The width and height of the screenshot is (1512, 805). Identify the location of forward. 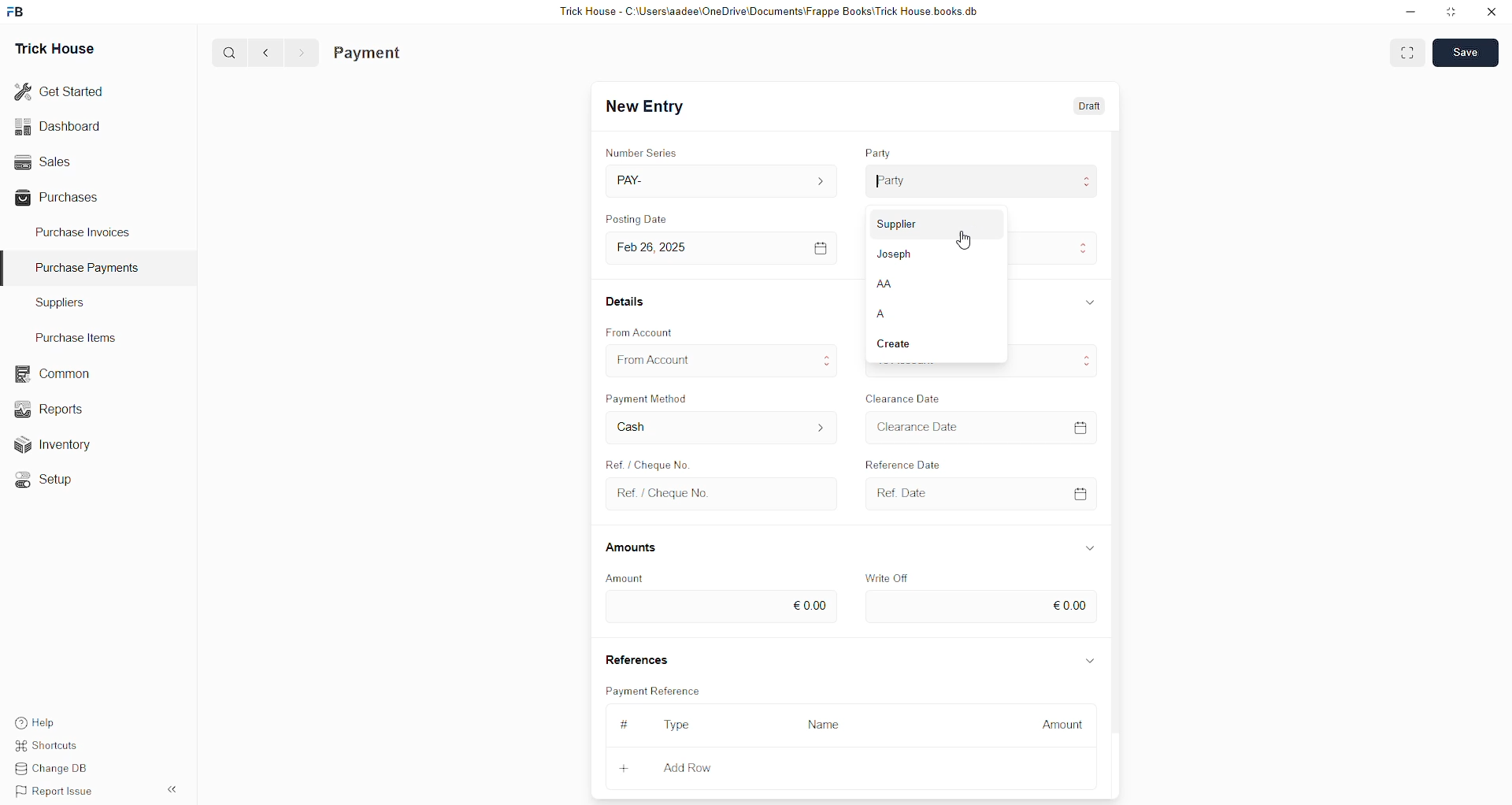
(301, 53).